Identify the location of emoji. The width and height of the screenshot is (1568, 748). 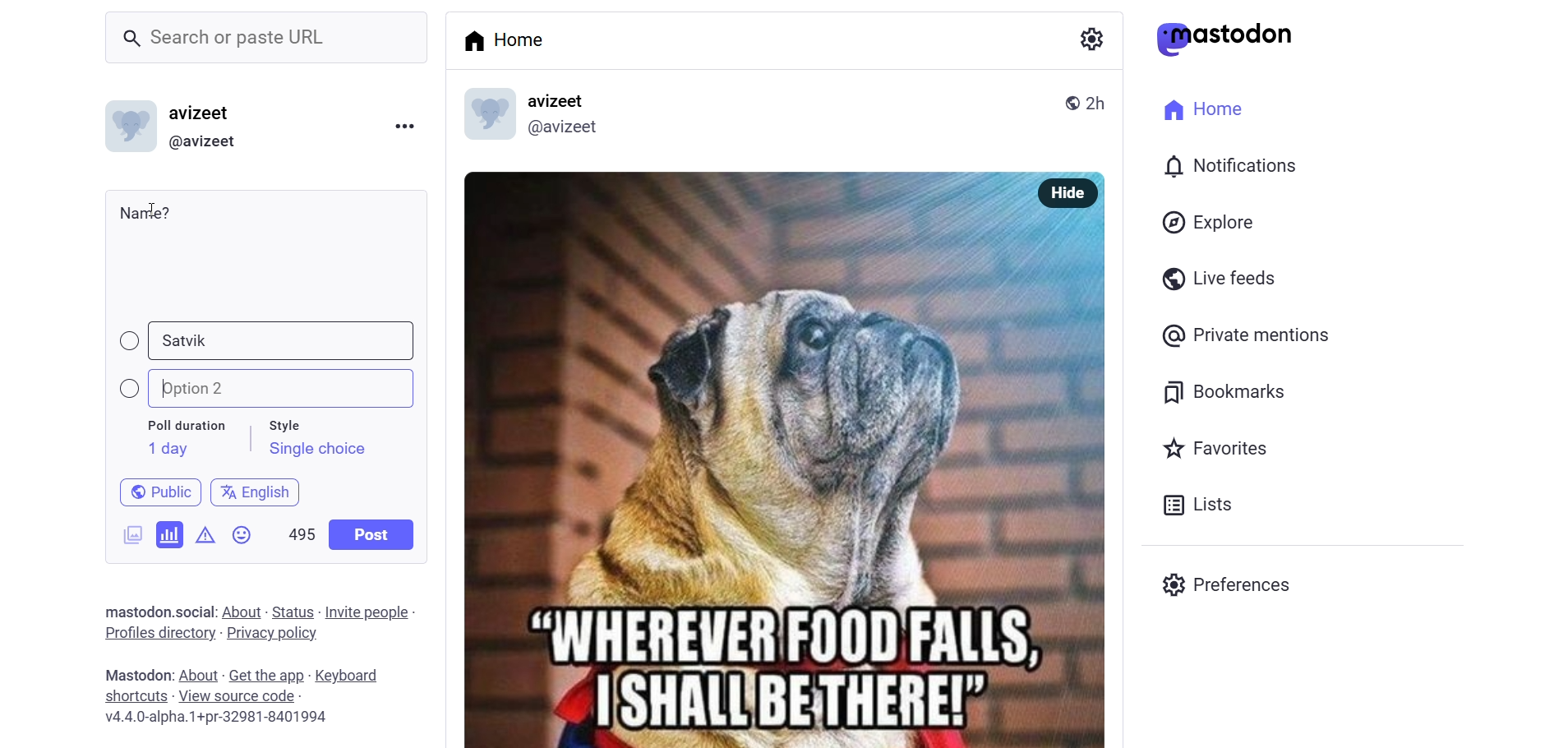
(243, 538).